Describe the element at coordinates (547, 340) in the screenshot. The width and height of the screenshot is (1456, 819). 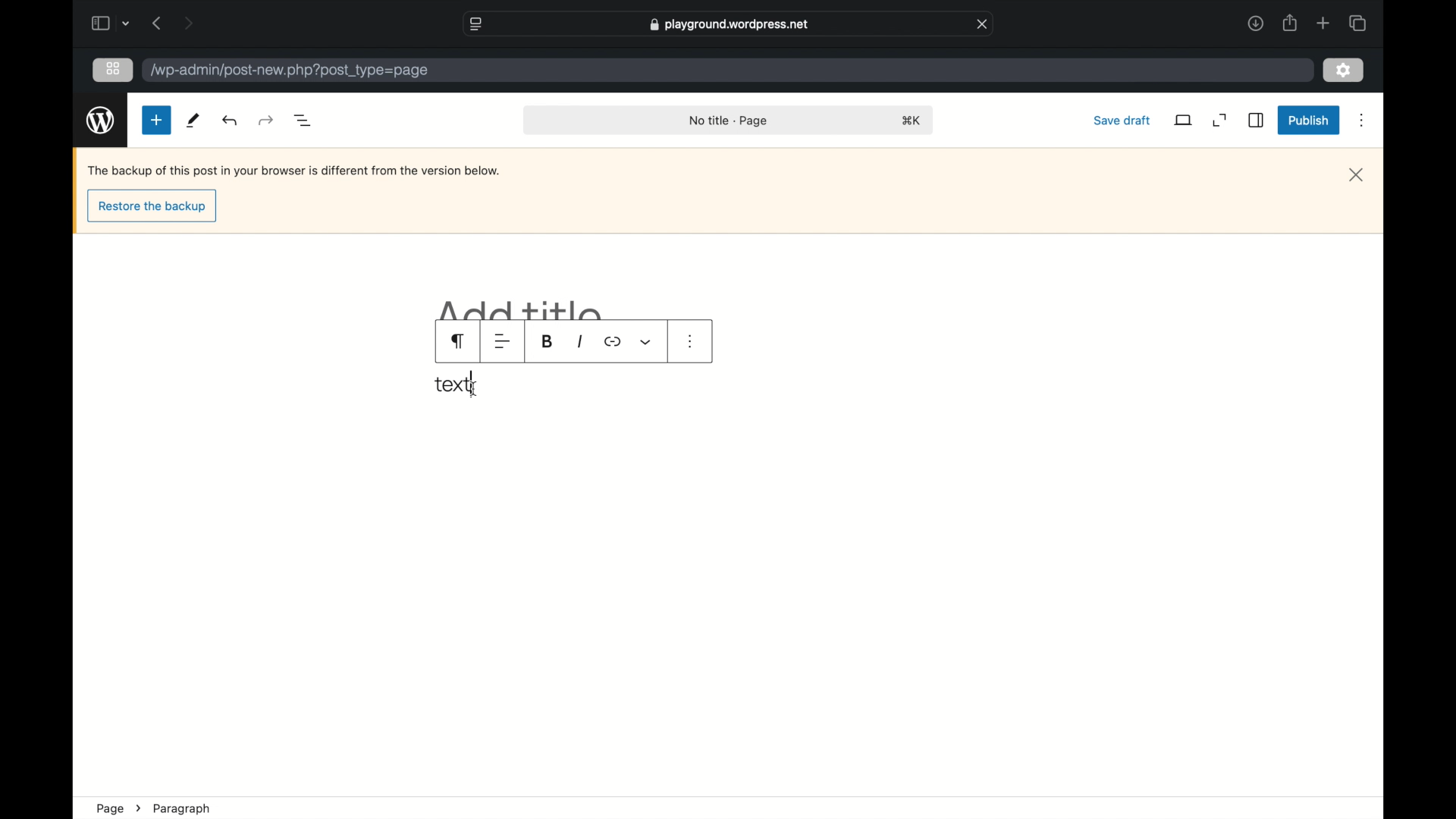
I see `bold` at that location.